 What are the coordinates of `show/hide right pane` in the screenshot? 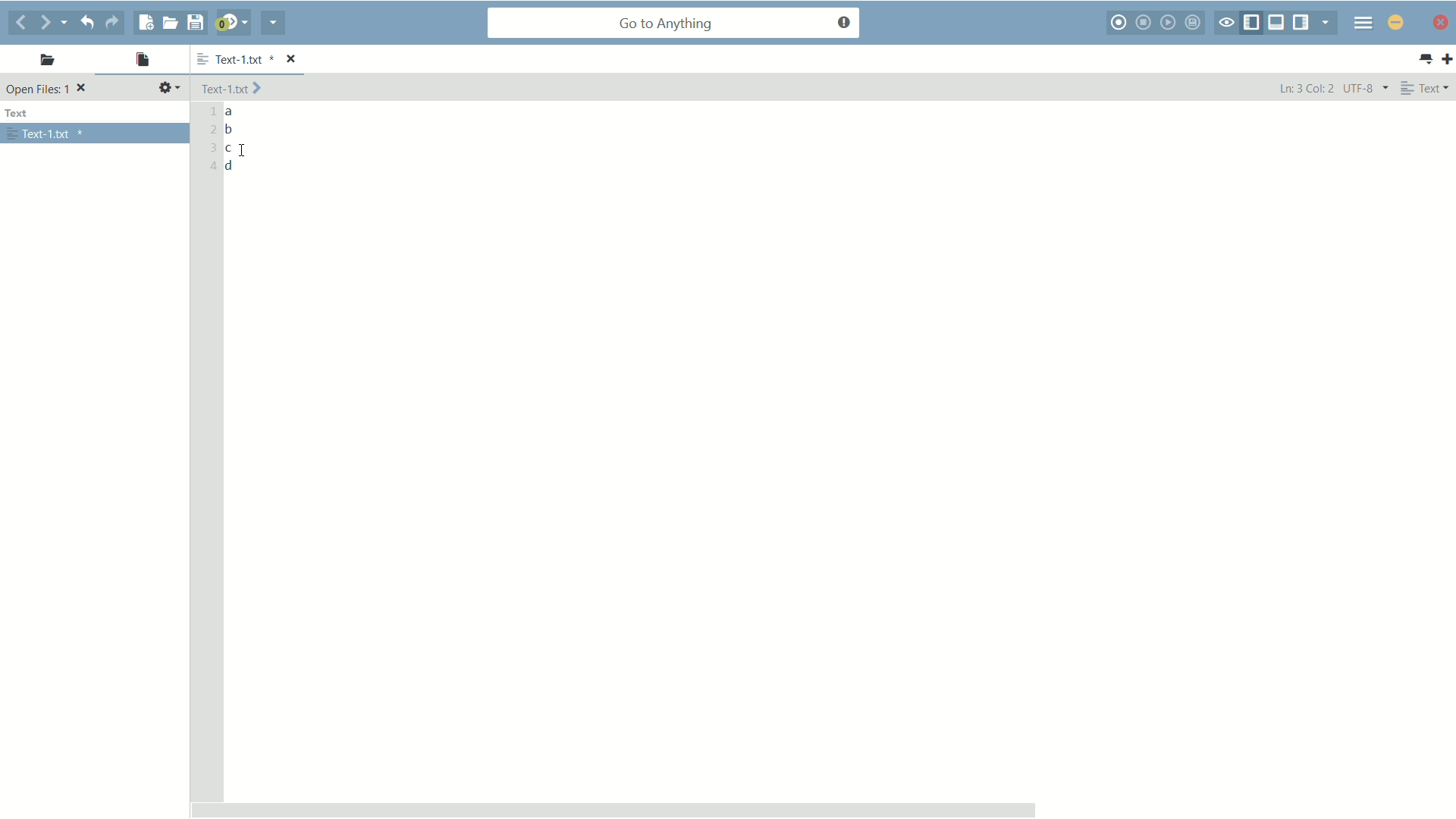 It's located at (1302, 22).